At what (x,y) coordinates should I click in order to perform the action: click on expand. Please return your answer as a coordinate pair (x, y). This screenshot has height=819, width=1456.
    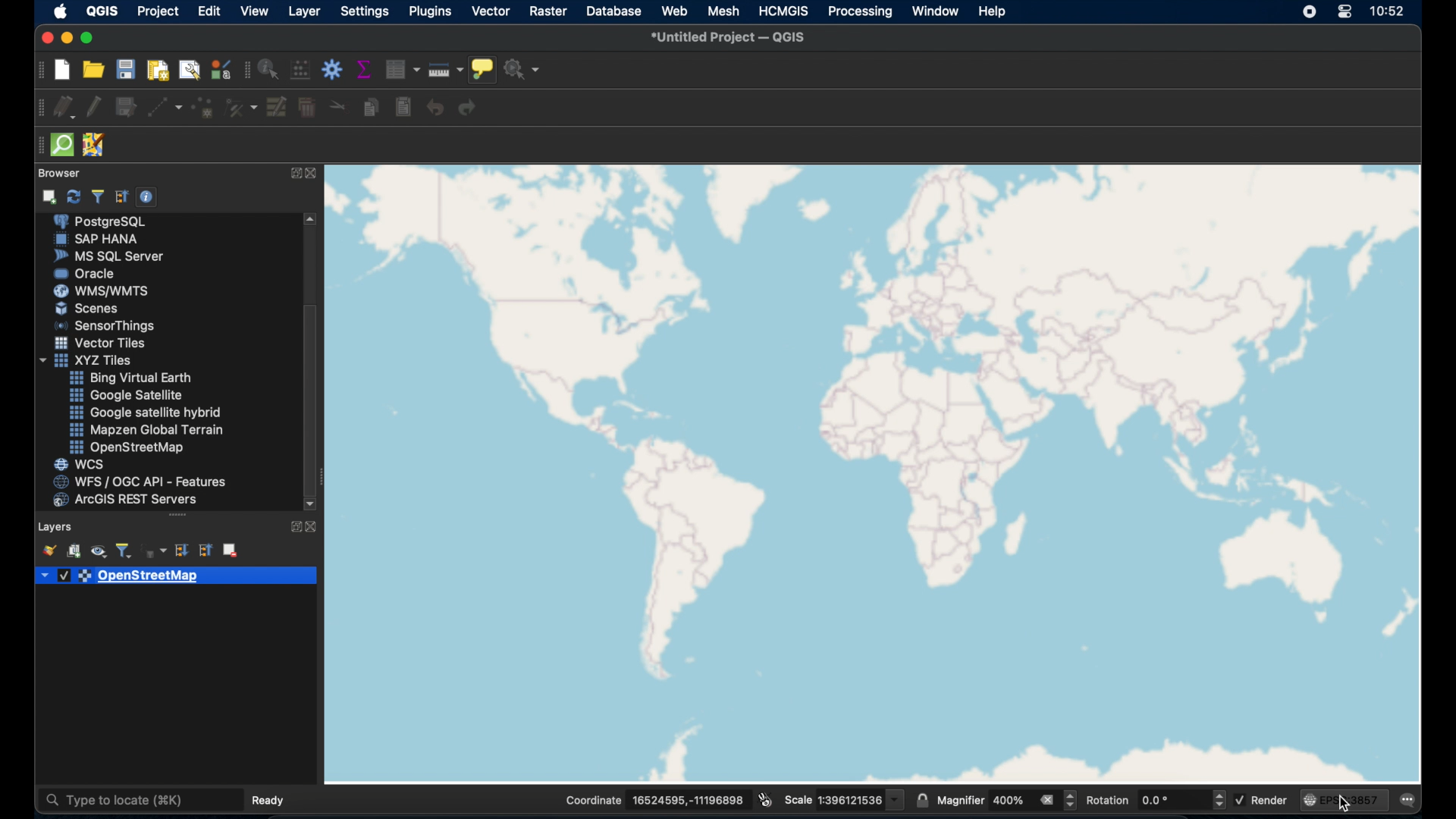
    Looking at the image, I should click on (293, 173).